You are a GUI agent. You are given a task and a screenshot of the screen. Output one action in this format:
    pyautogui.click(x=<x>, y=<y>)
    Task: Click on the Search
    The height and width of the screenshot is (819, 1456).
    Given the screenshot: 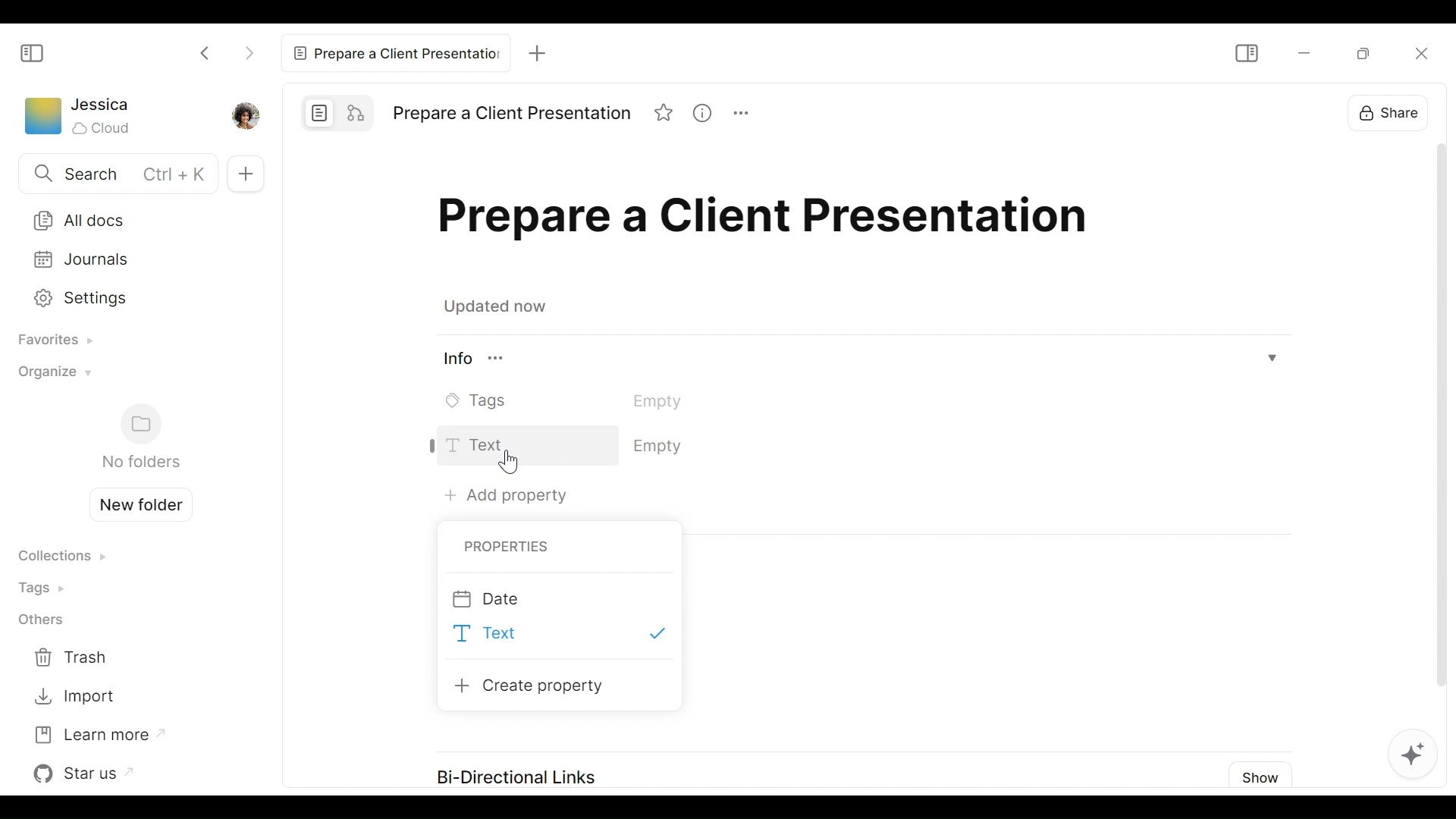 What is the action you would take?
    pyautogui.click(x=115, y=175)
    